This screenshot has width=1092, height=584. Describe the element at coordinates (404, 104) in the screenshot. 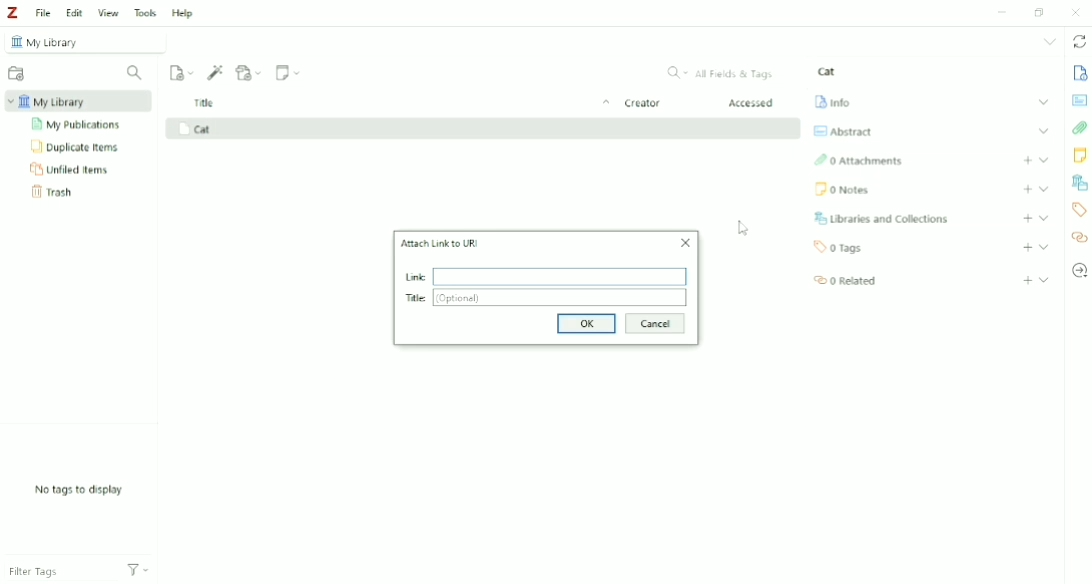

I see `Title` at that location.